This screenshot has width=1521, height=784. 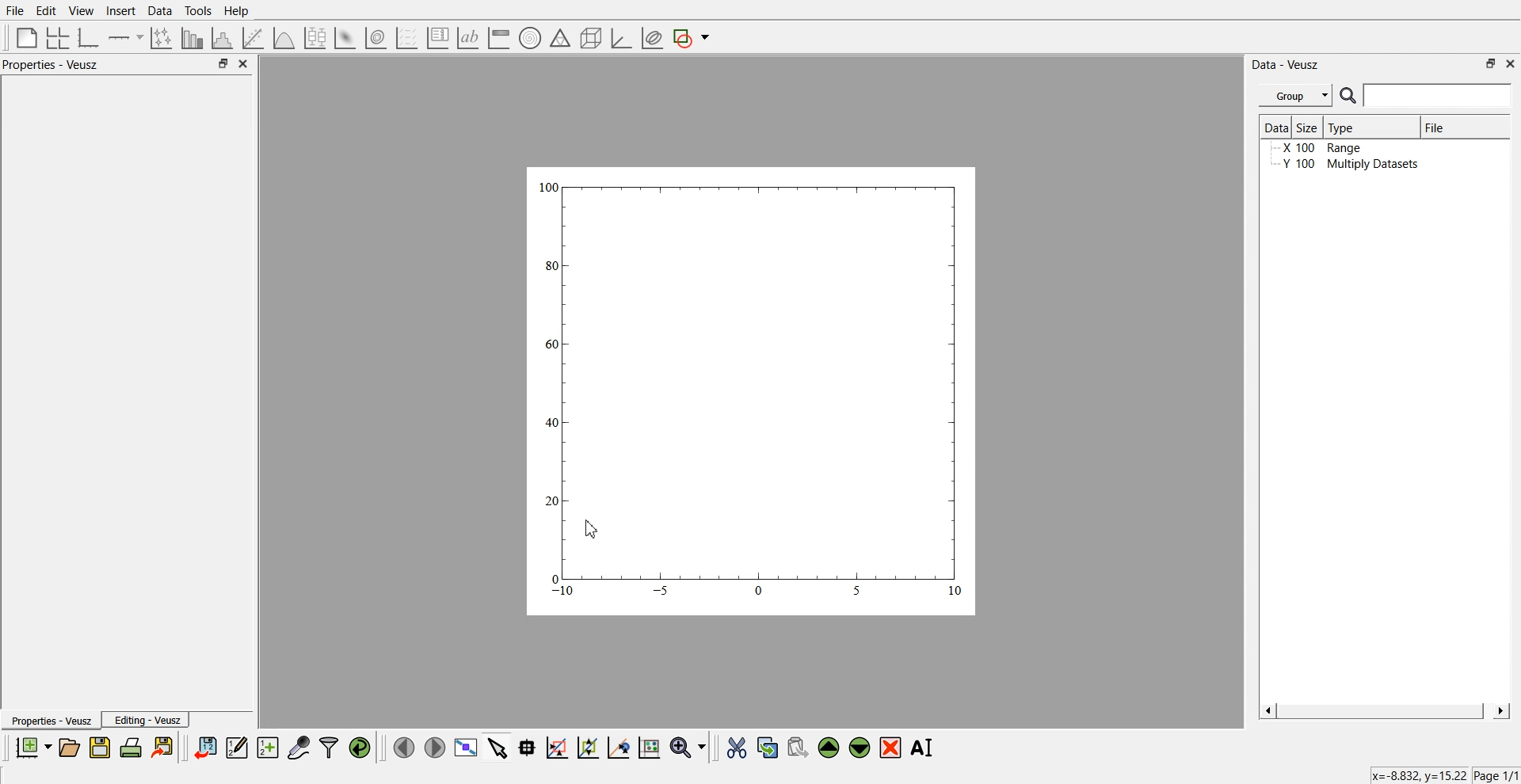 What do you see at coordinates (314, 36) in the screenshot?
I see `plot a boxplot` at bounding box center [314, 36].